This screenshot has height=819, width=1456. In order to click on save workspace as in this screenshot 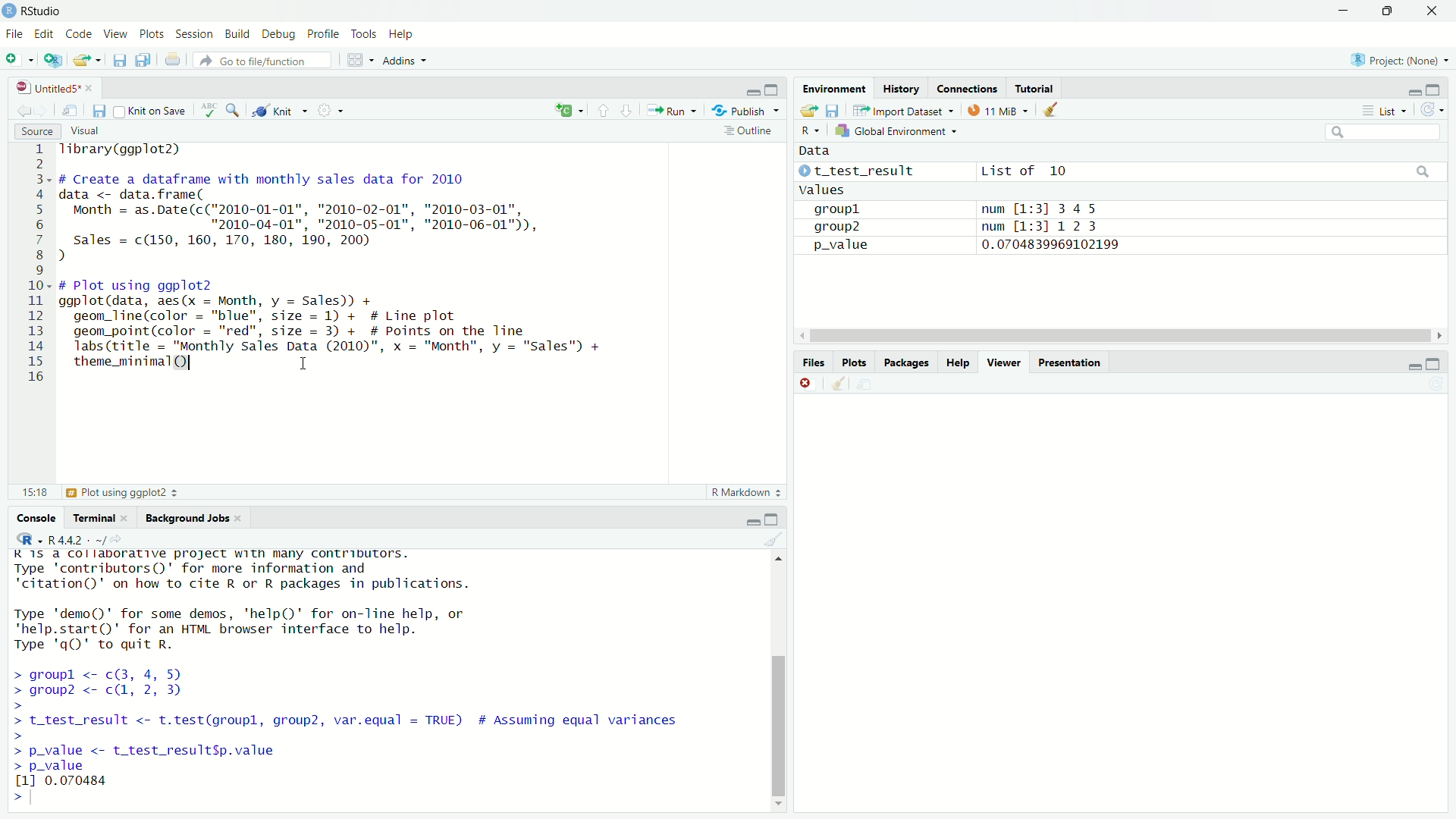, I will do `click(833, 111)`.